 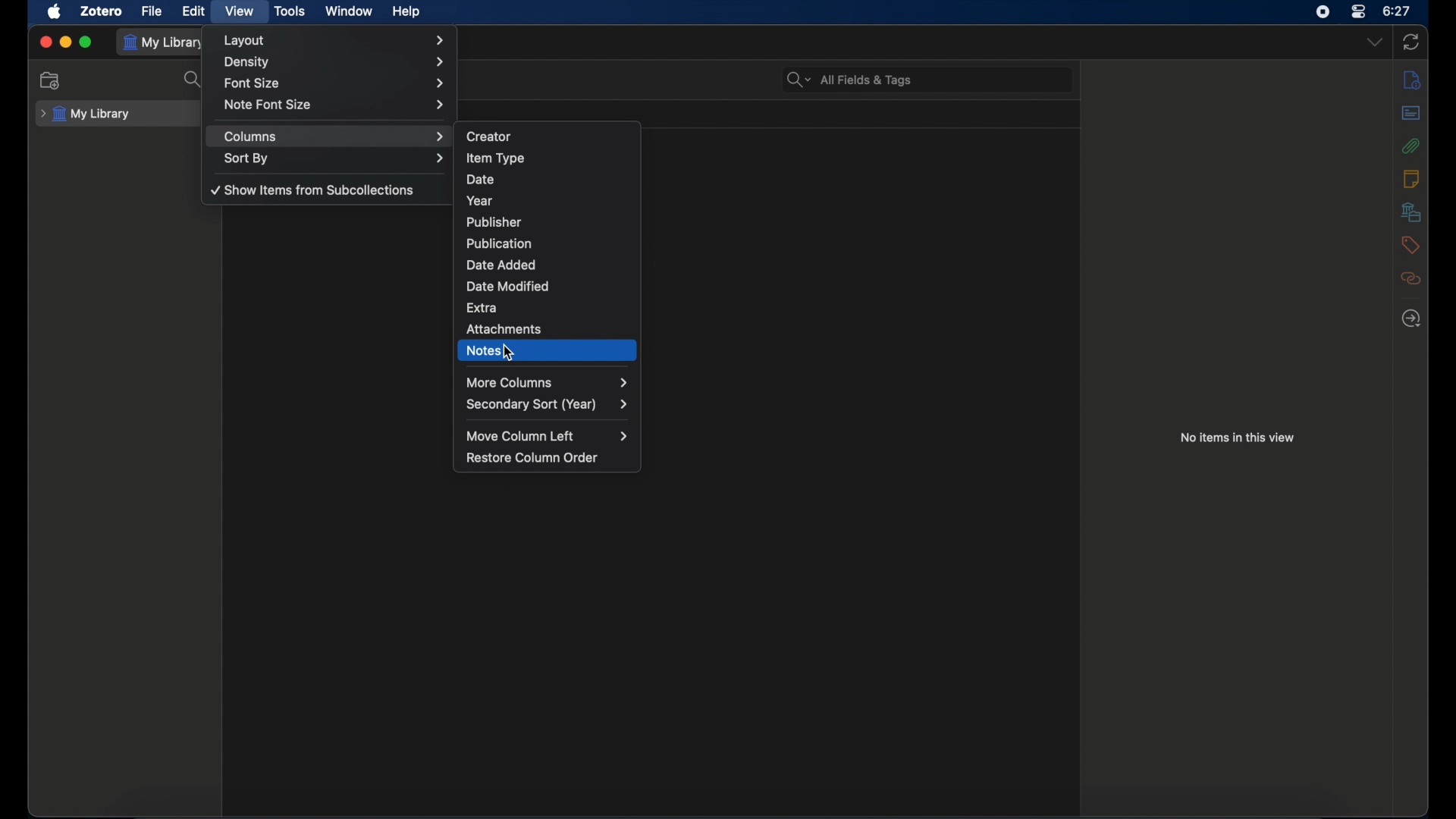 I want to click on new collection, so click(x=51, y=81).